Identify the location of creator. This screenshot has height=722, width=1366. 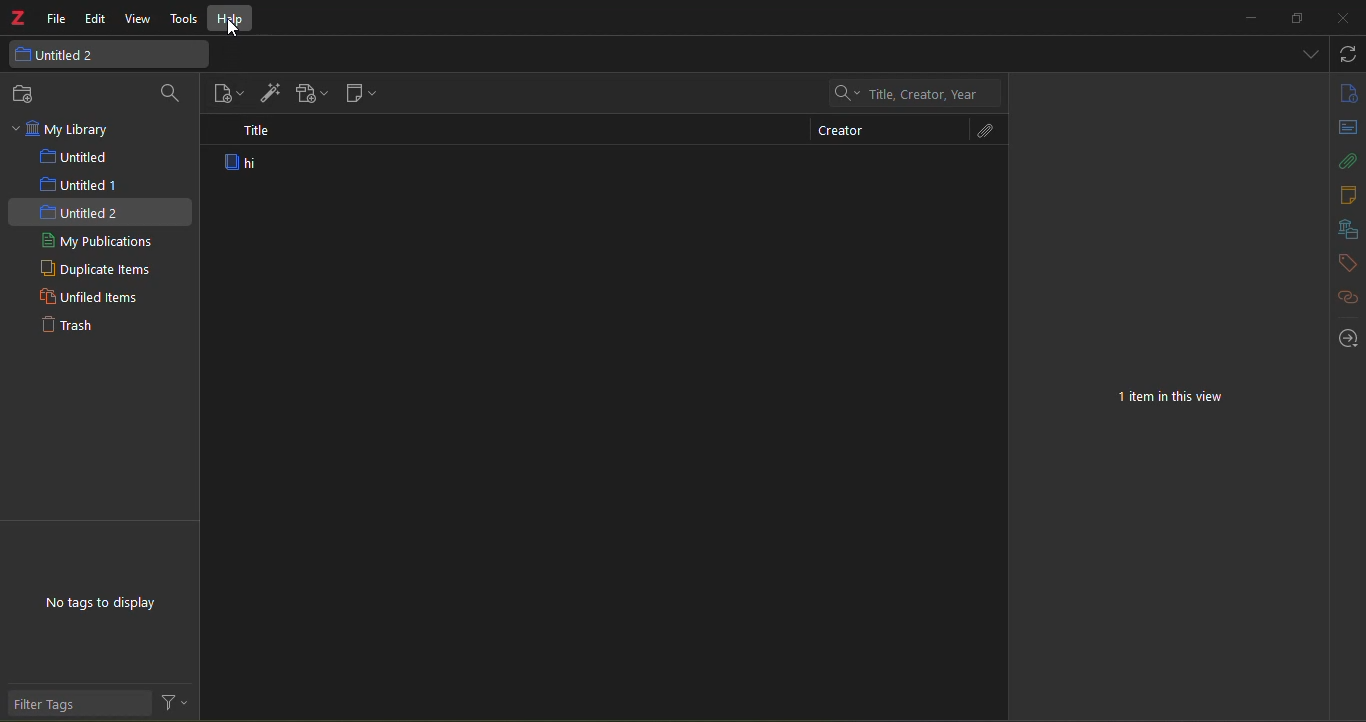
(840, 131).